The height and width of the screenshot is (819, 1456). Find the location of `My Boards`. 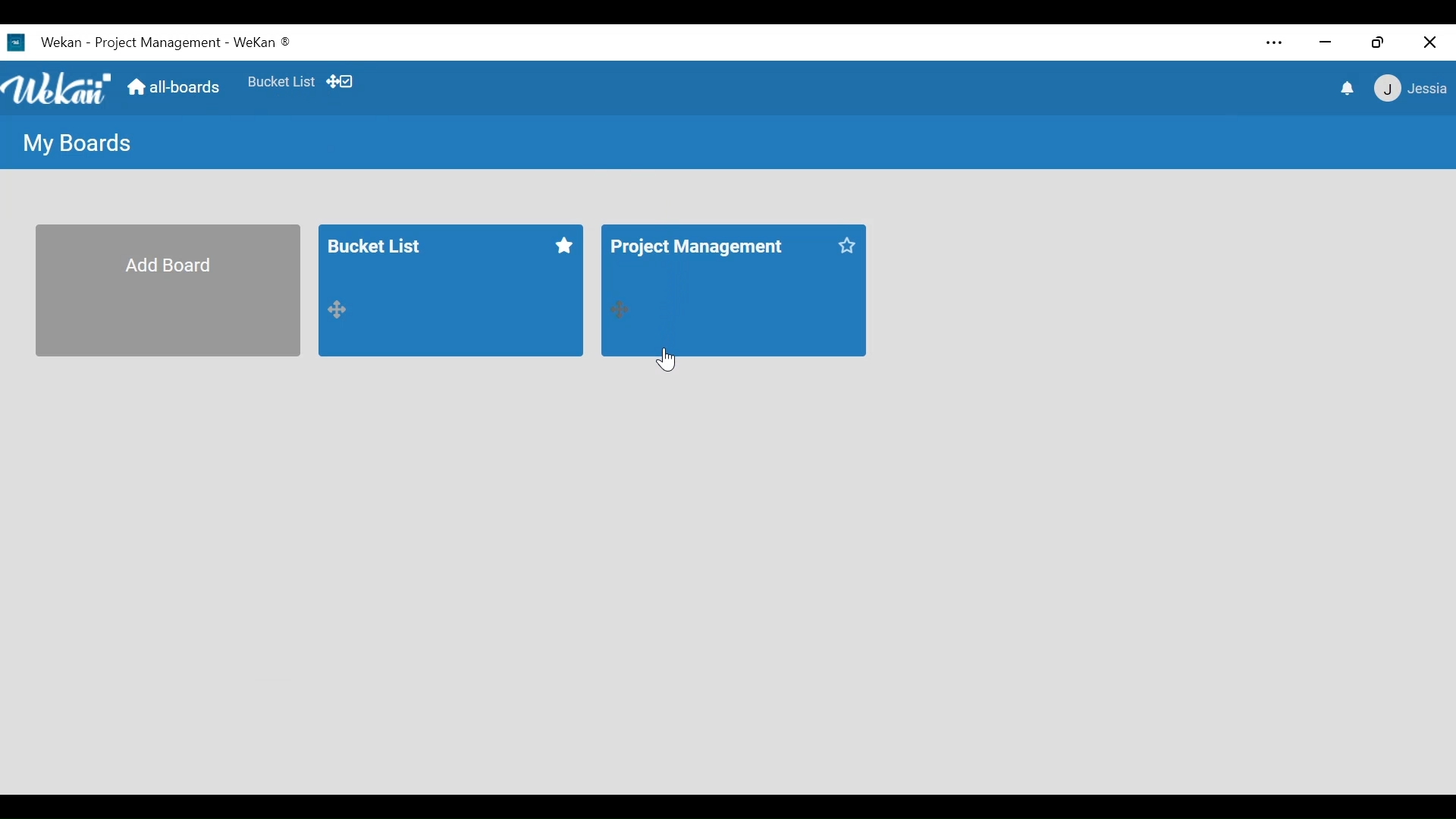

My Boards is located at coordinates (78, 144).